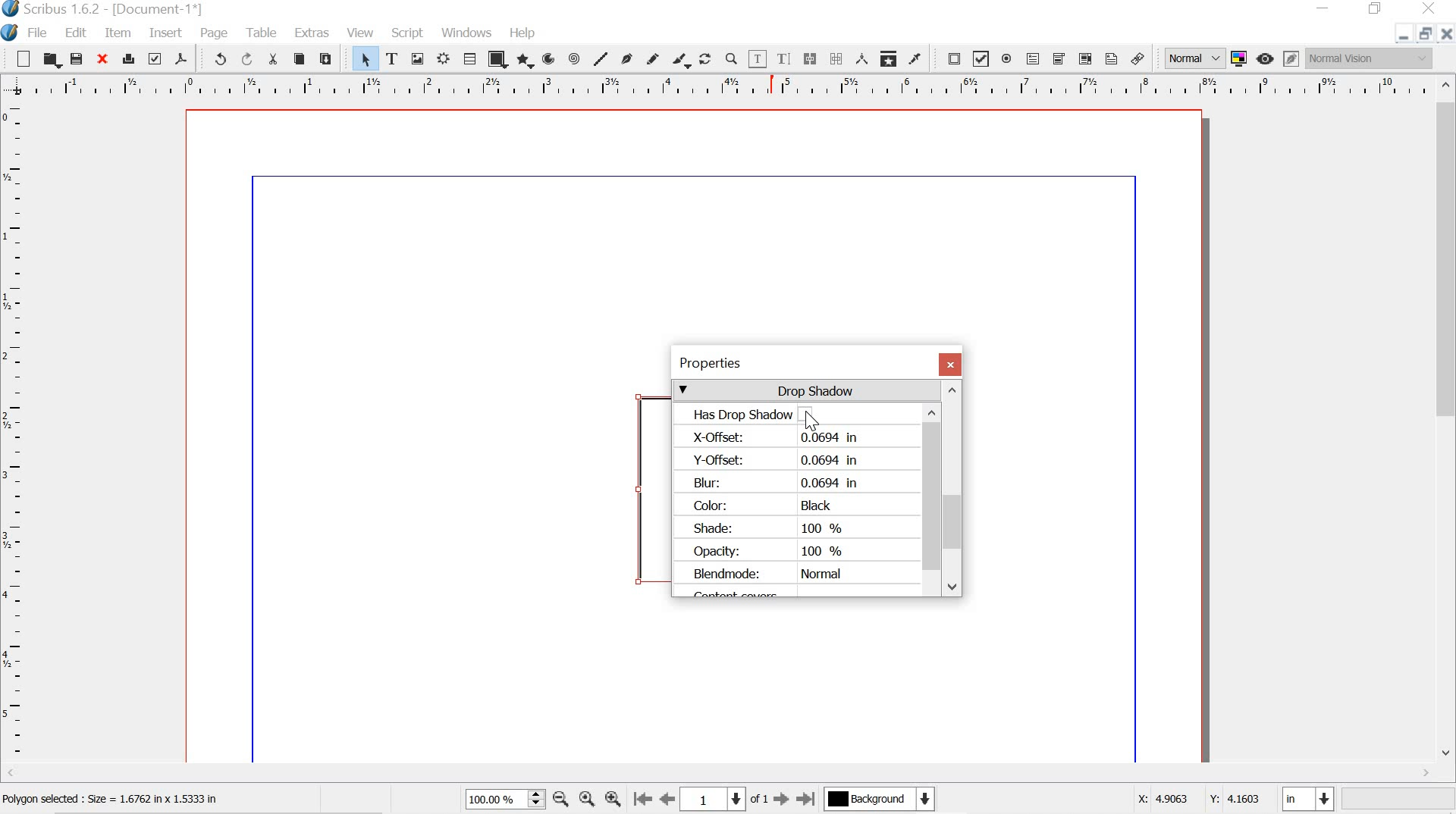 Image resolution: width=1456 pixels, height=814 pixels. I want to click on Blur: 0.0694 in, so click(778, 481).